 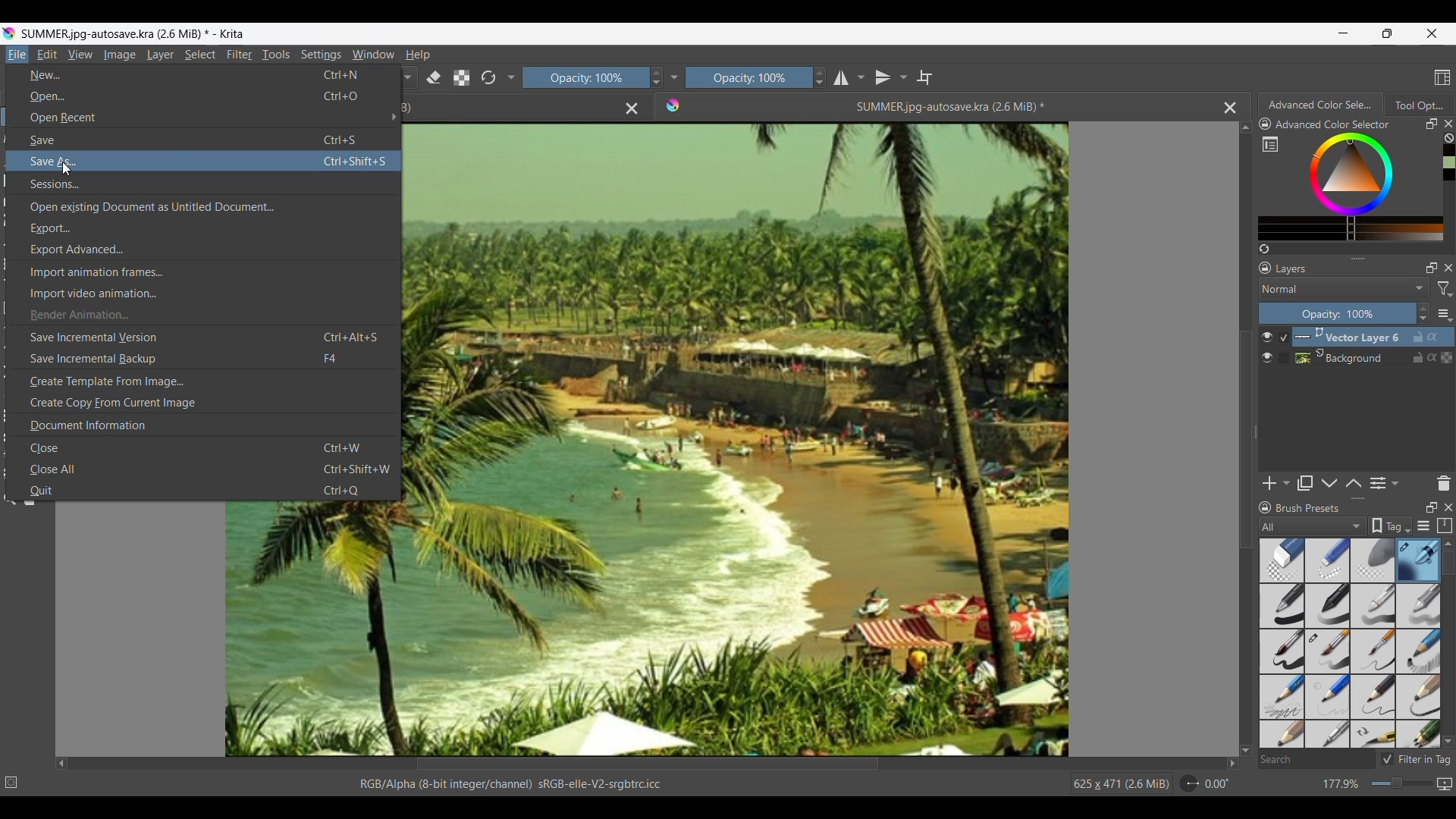 I want to click on Horizontal mirror tools and options, so click(x=848, y=77).